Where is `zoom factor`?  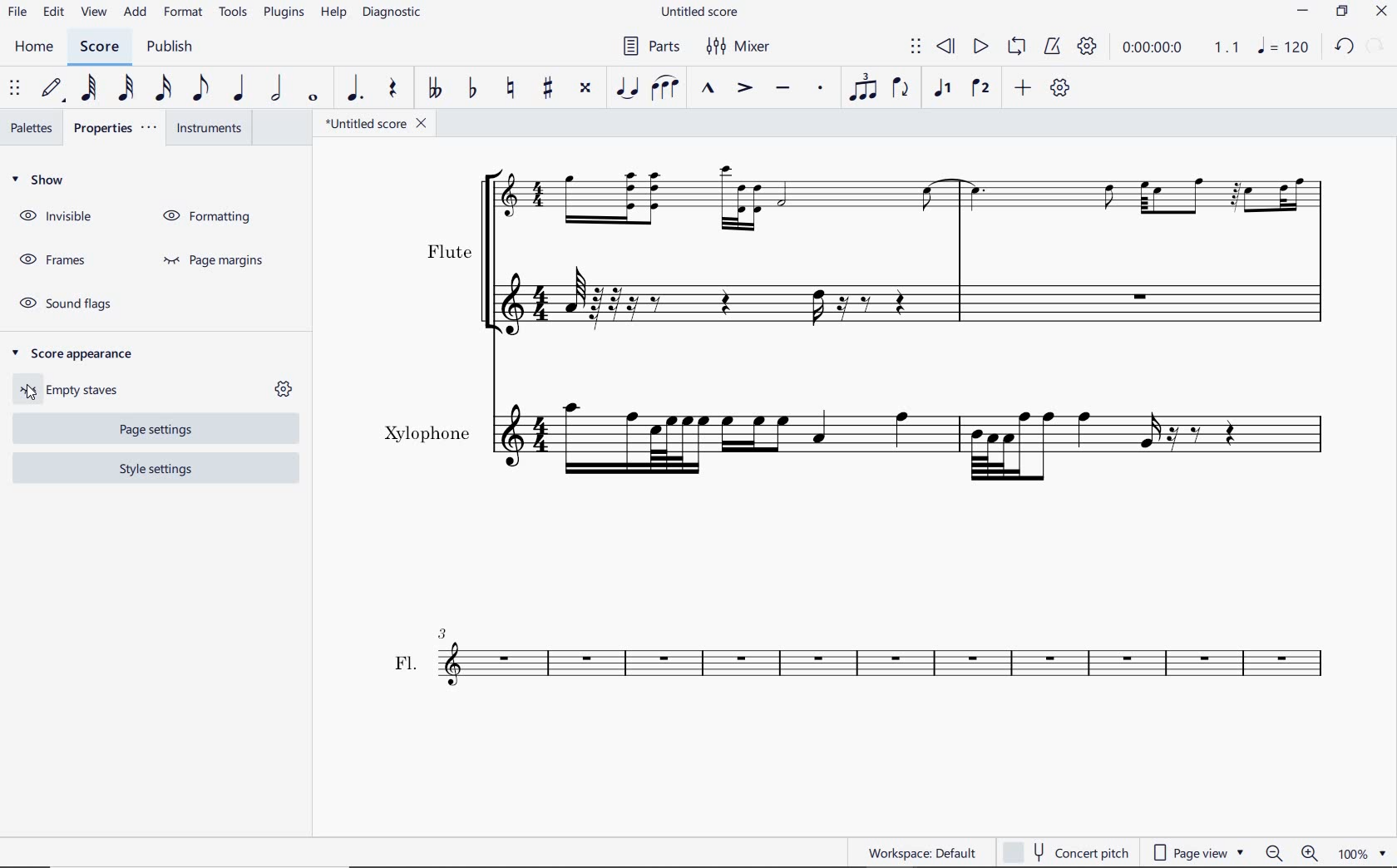 zoom factor is located at coordinates (1363, 854).